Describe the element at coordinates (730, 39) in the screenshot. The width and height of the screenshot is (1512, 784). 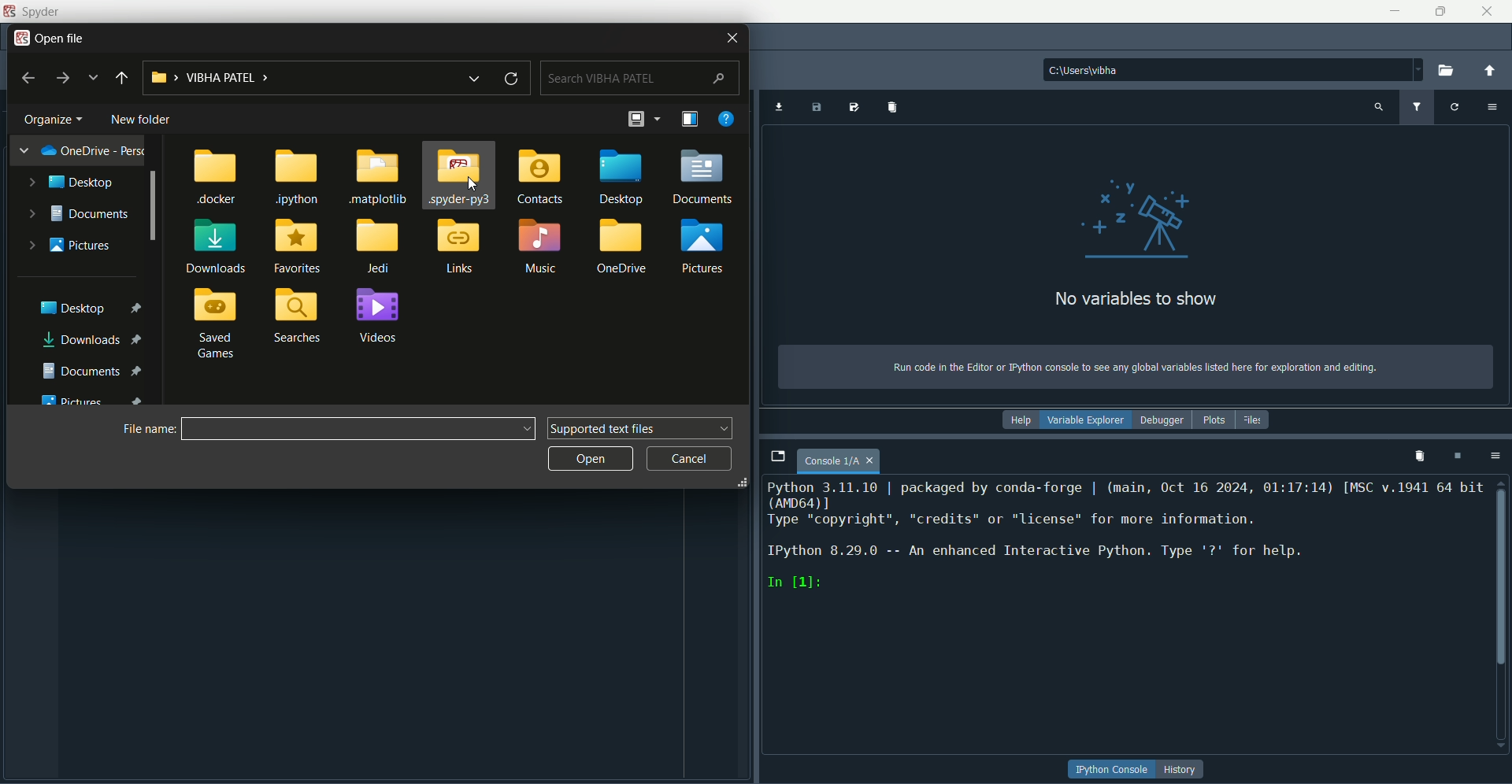
I see `close` at that location.